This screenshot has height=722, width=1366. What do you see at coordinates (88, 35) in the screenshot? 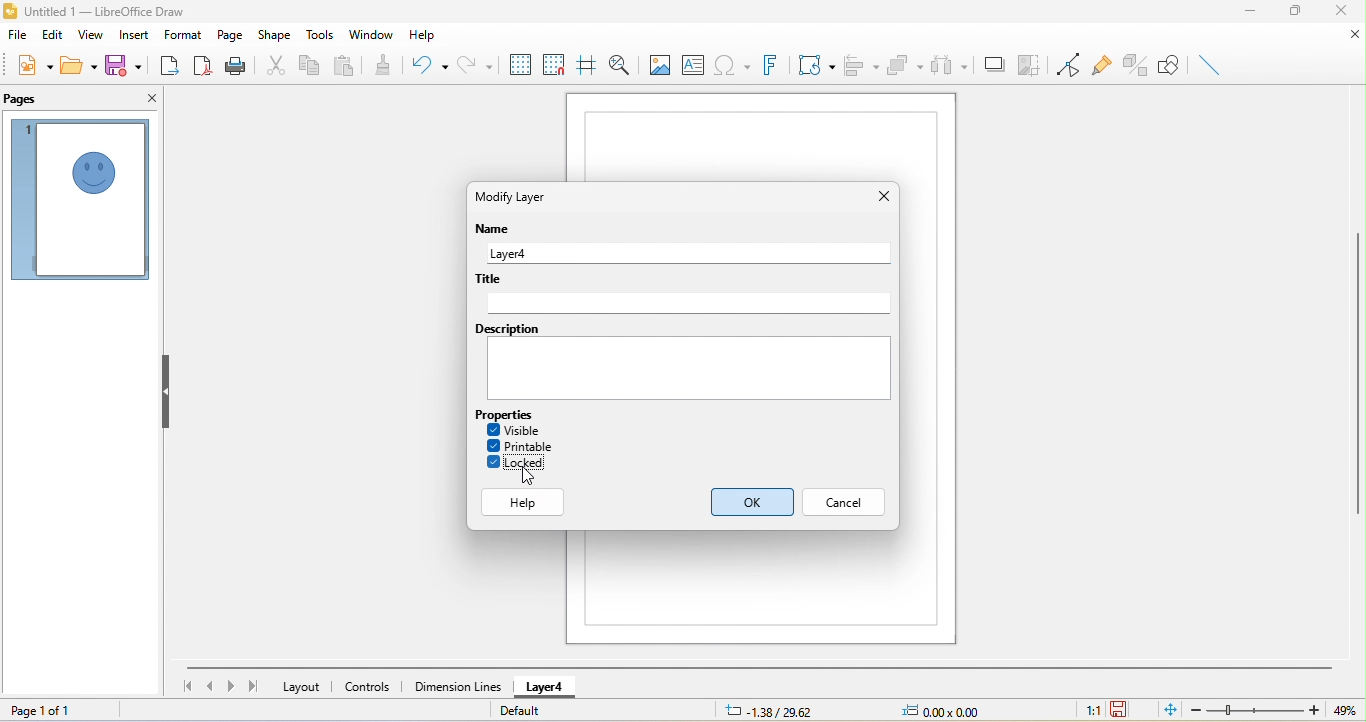
I see `view` at bounding box center [88, 35].